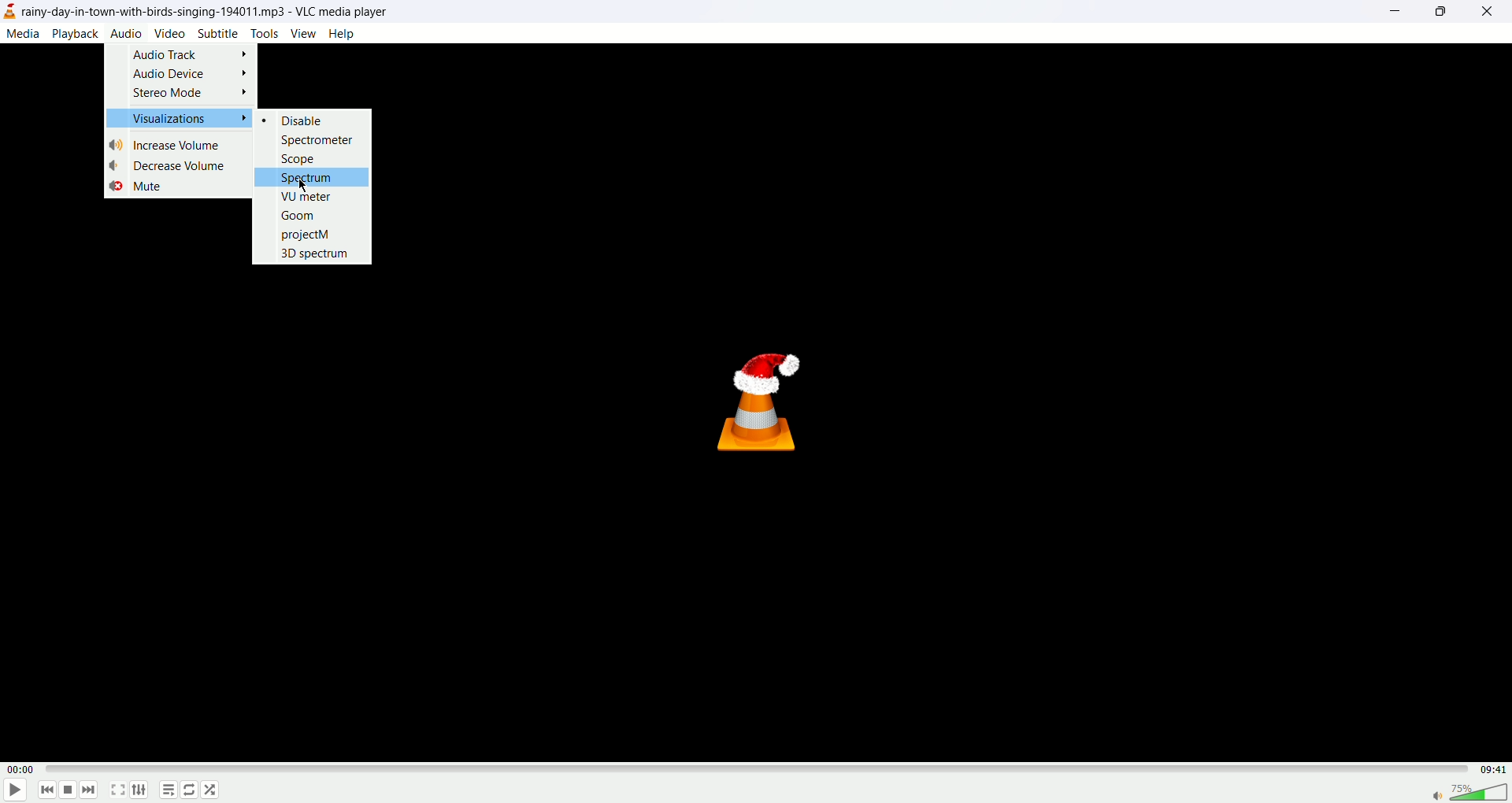  Describe the element at coordinates (1440, 12) in the screenshot. I see `maximize` at that location.